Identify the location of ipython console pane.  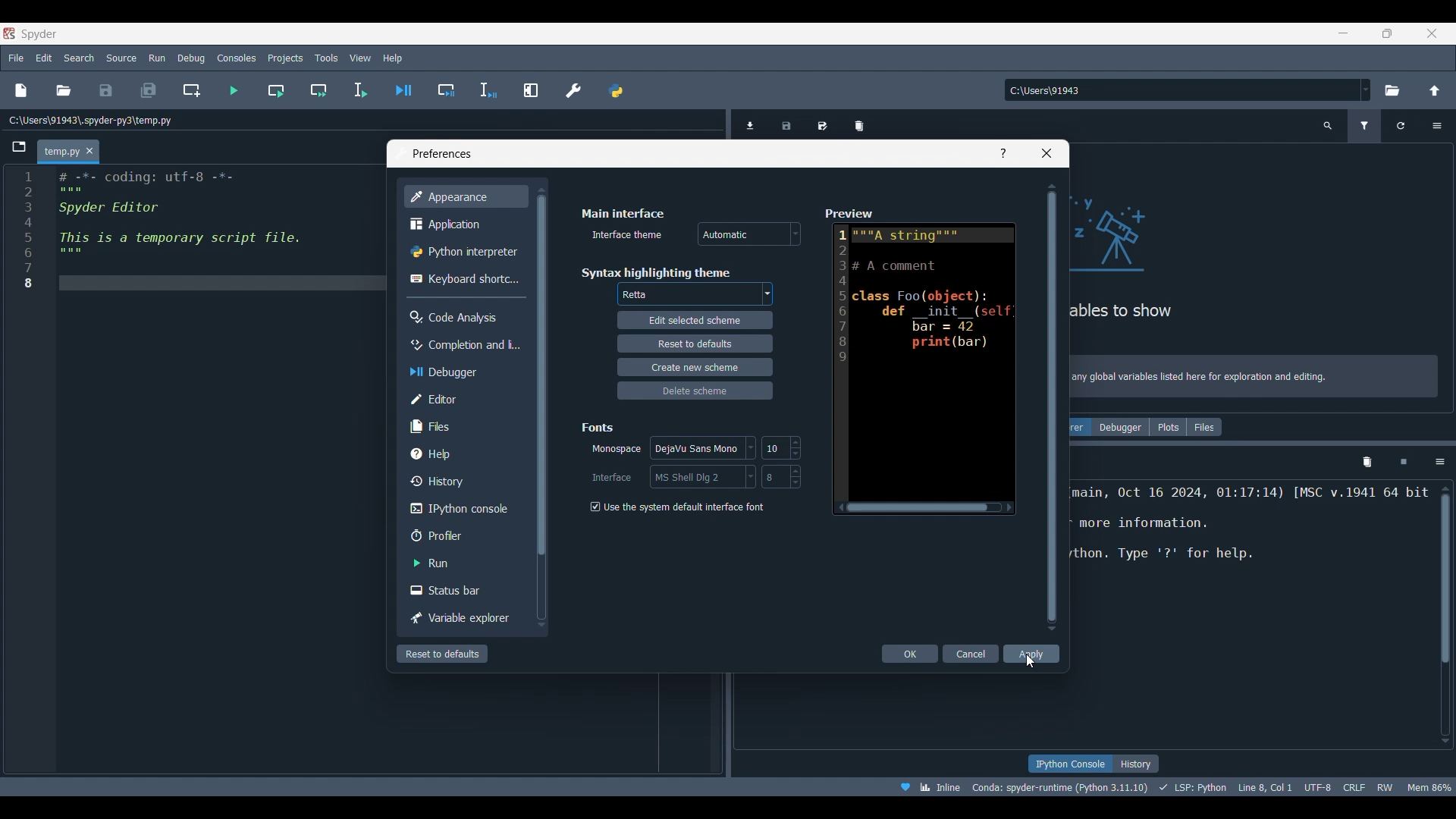
(1251, 538).